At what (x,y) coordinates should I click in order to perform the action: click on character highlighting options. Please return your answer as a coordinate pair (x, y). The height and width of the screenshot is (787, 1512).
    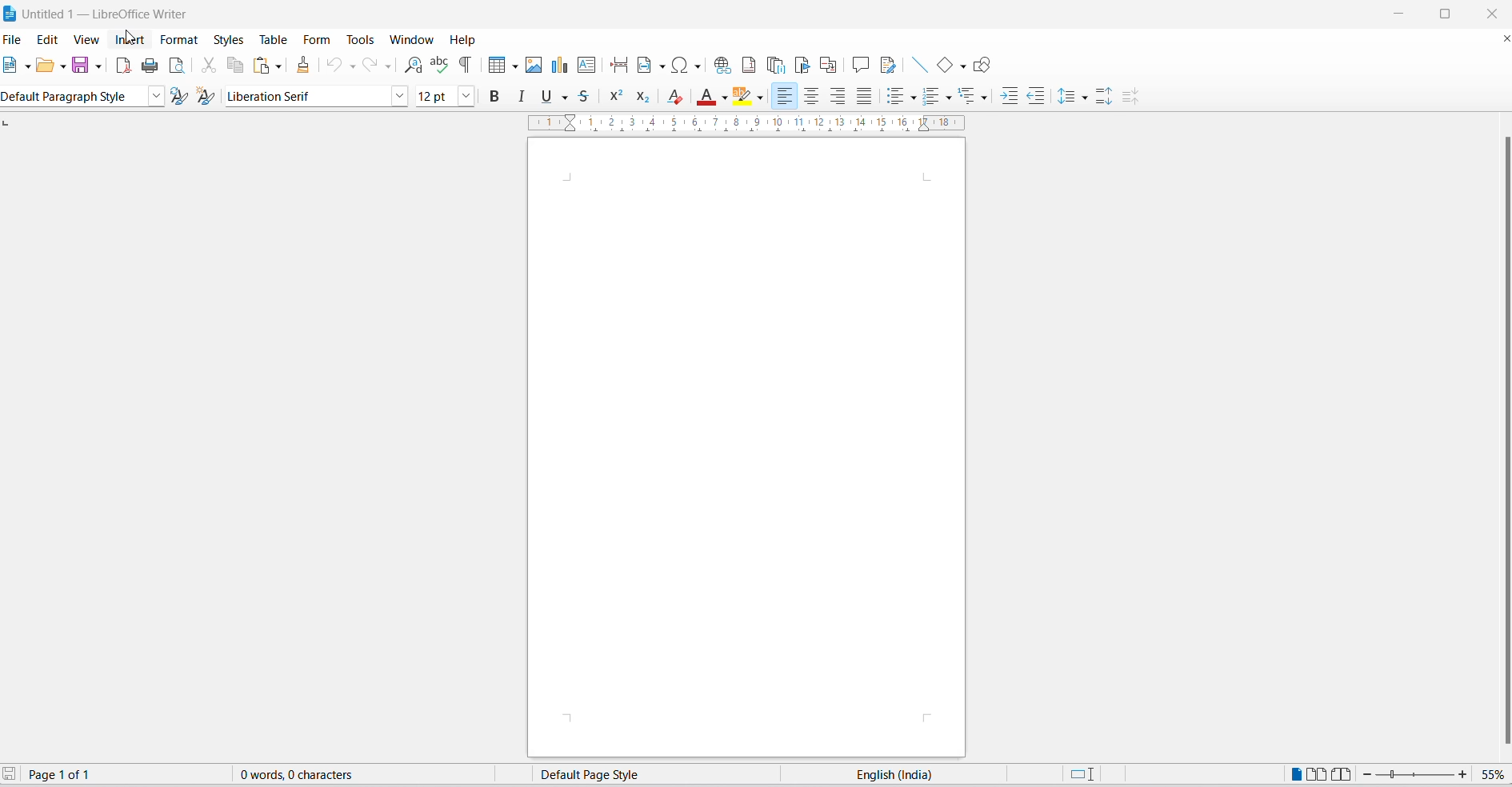
    Looking at the image, I should click on (760, 98).